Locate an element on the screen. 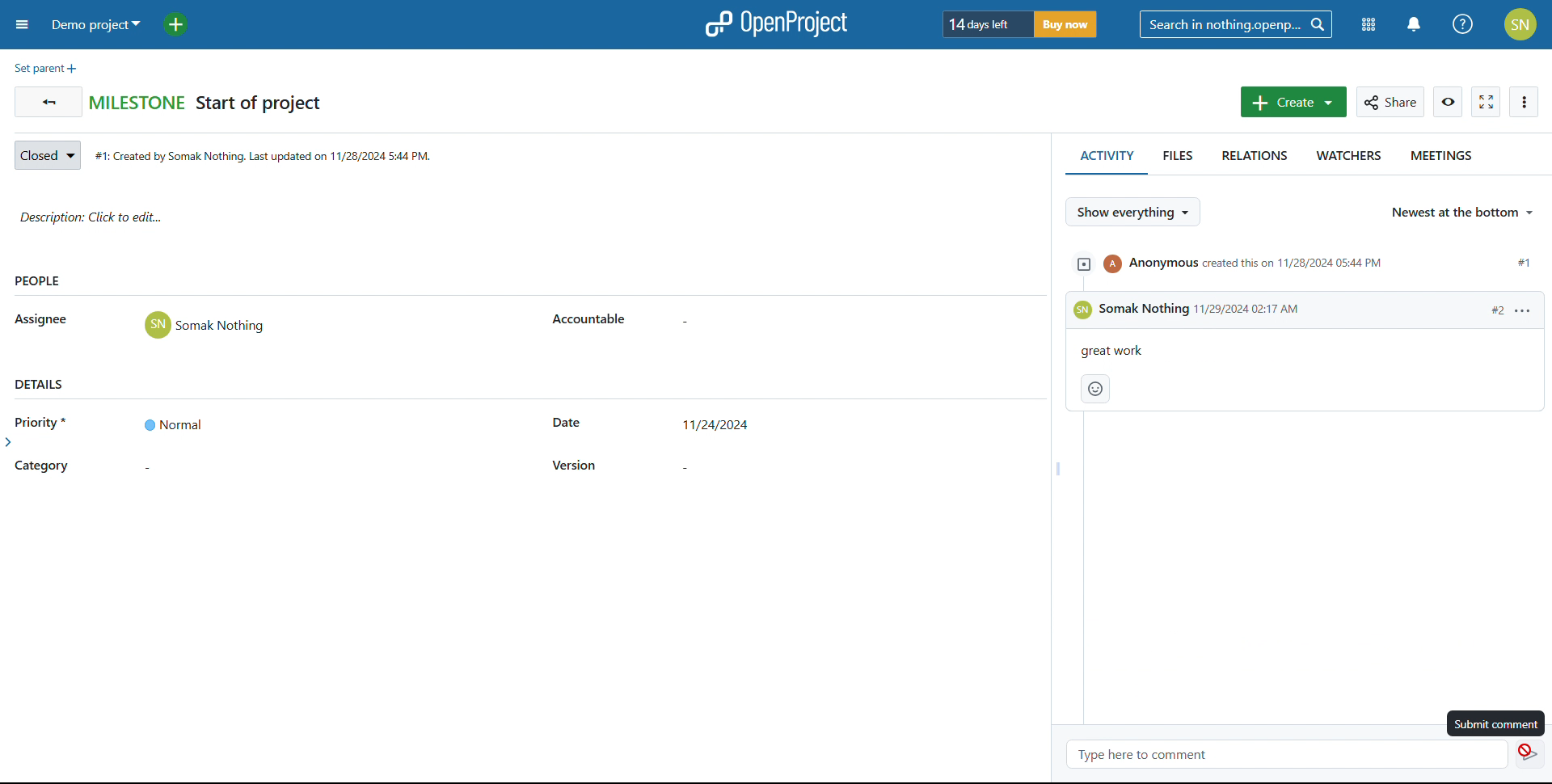 The height and width of the screenshot is (784, 1552). Somak Nothing is located at coordinates (205, 325).